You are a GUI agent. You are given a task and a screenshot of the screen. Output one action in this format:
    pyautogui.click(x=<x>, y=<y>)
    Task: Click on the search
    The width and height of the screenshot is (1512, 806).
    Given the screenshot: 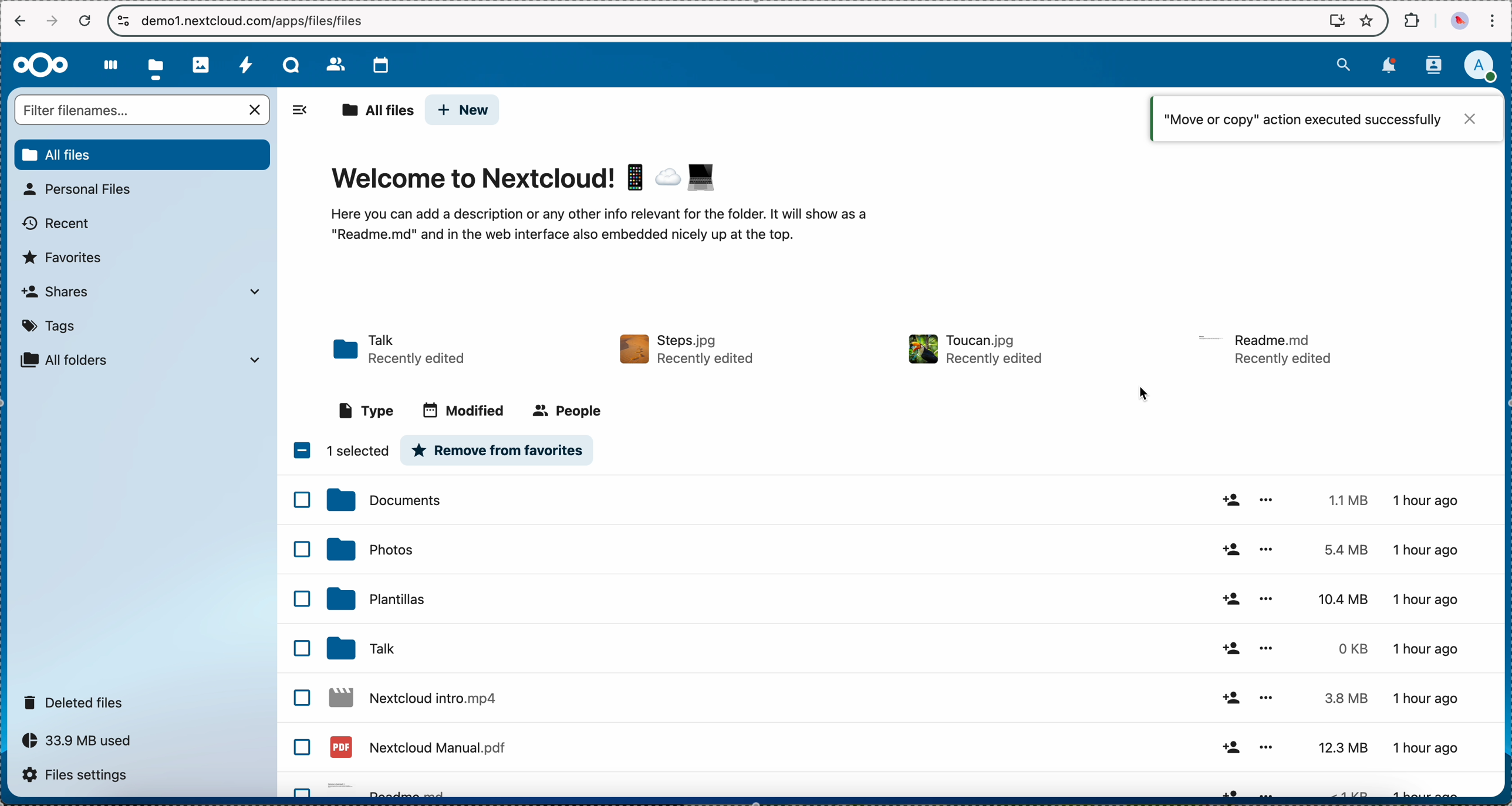 What is the action you would take?
    pyautogui.click(x=1342, y=65)
    